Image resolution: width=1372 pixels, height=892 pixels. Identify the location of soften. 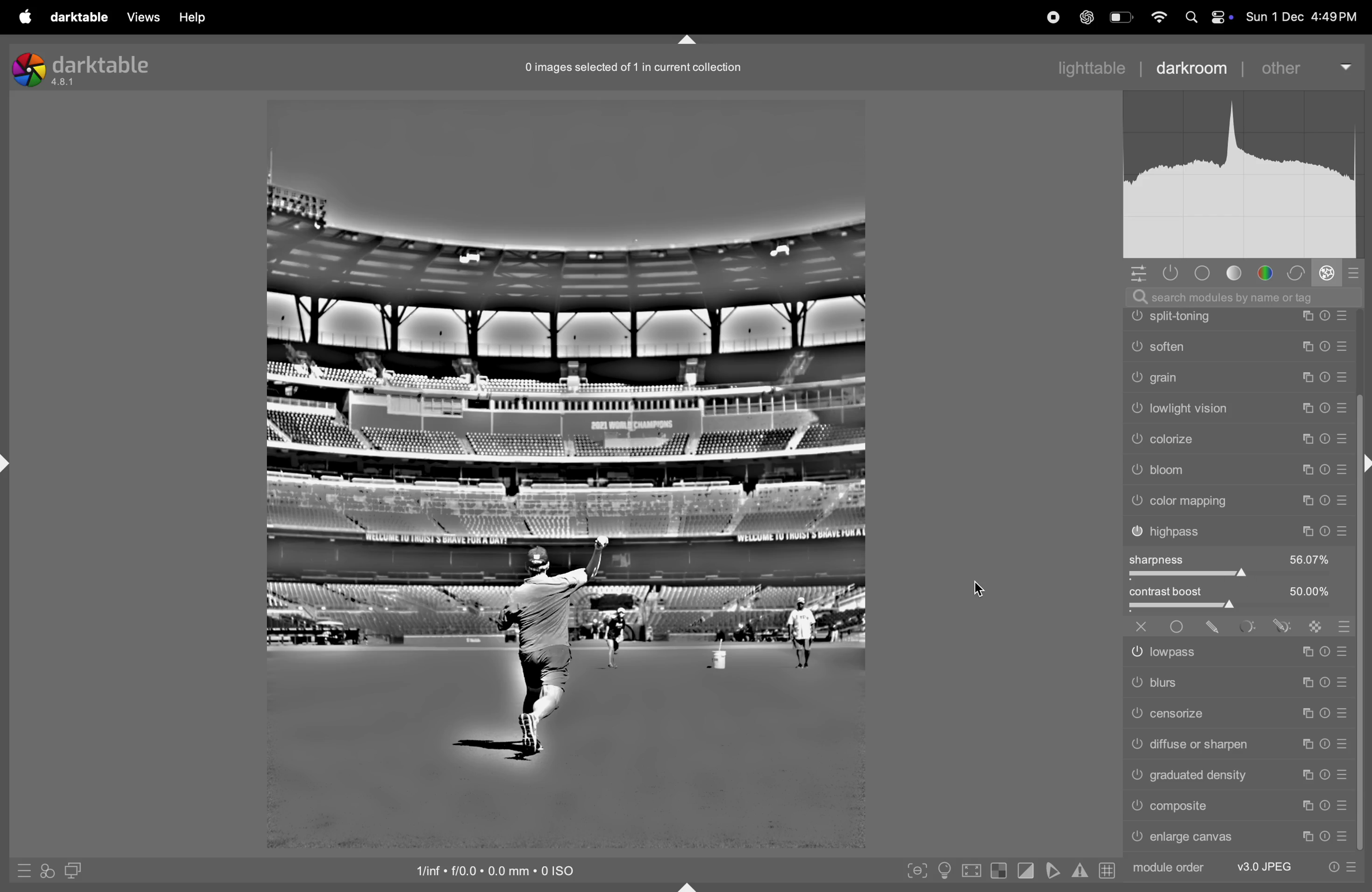
(1238, 436).